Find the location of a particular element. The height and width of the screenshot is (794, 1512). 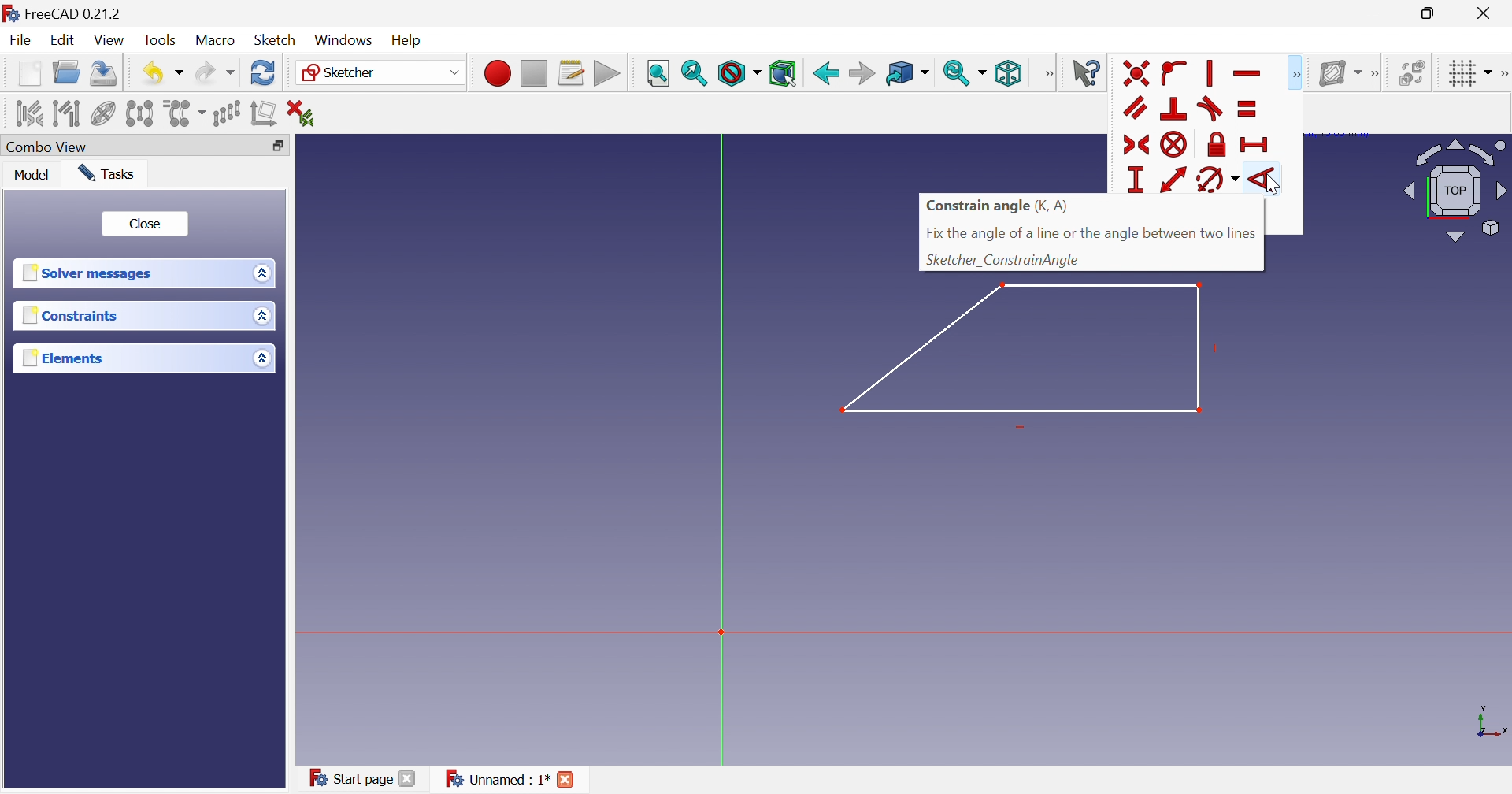

Toggle grid is located at coordinates (1458, 73).